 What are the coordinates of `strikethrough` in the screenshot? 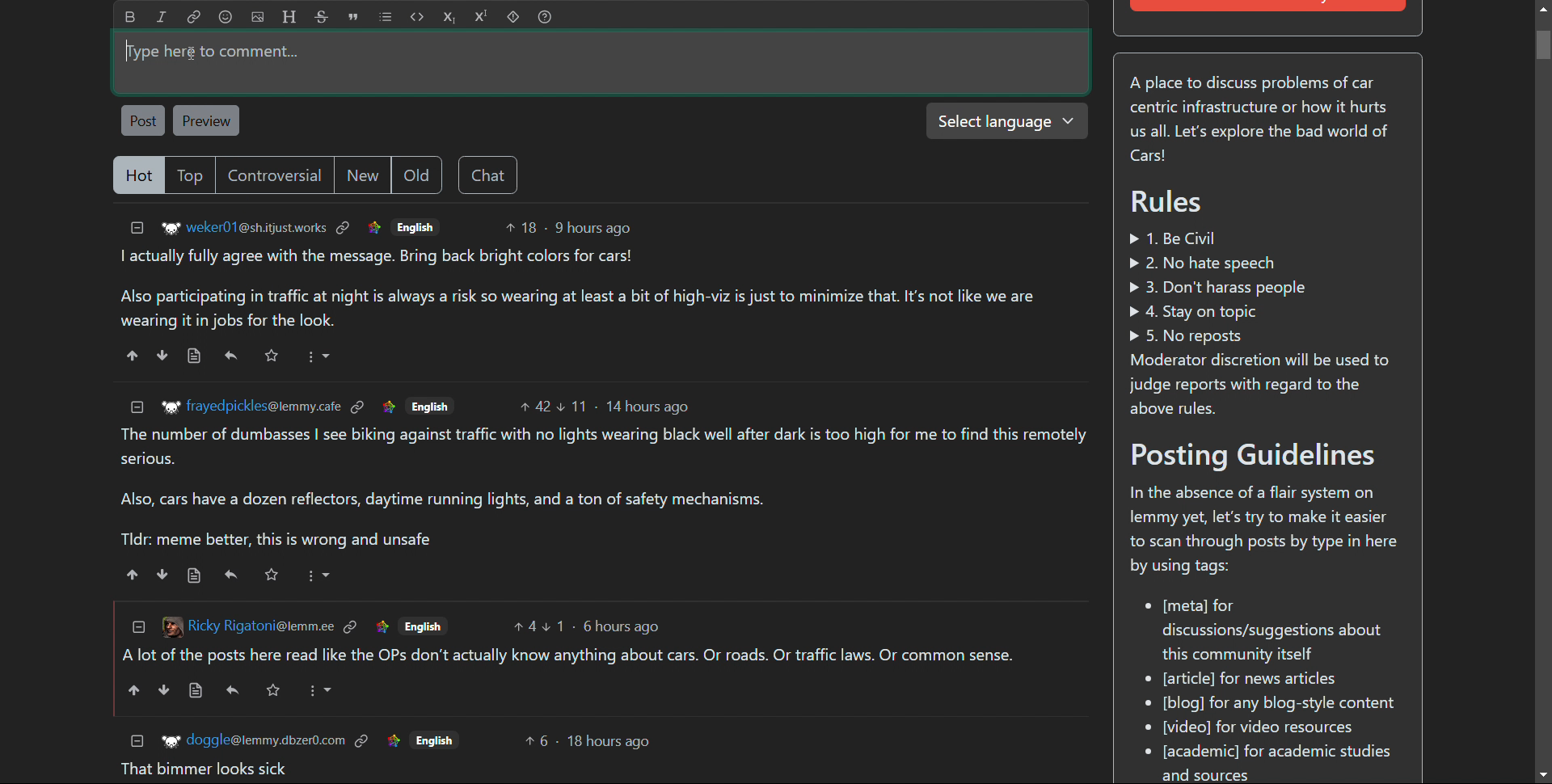 It's located at (322, 17).